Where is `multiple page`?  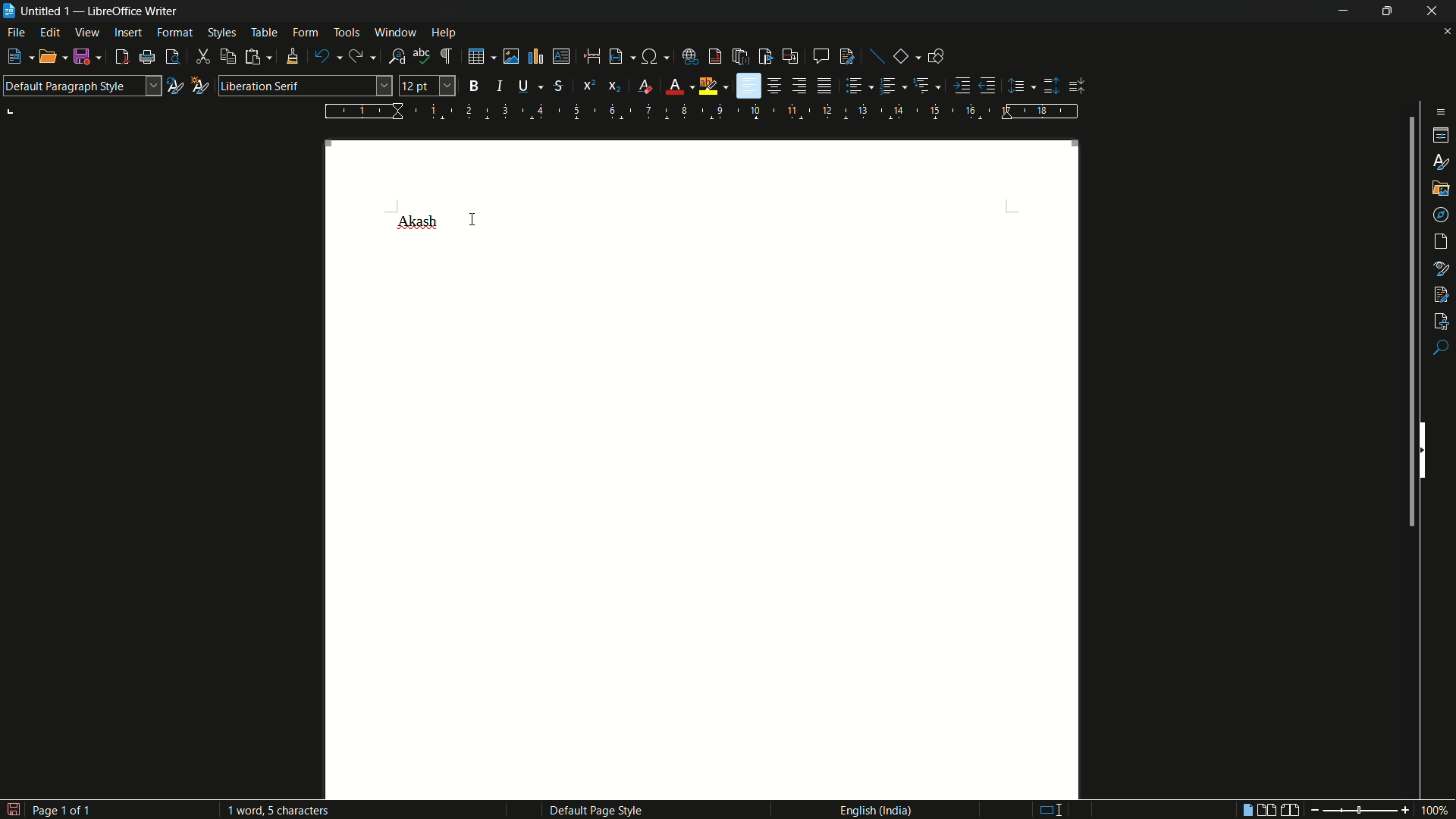 multiple page is located at coordinates (1267, 810).